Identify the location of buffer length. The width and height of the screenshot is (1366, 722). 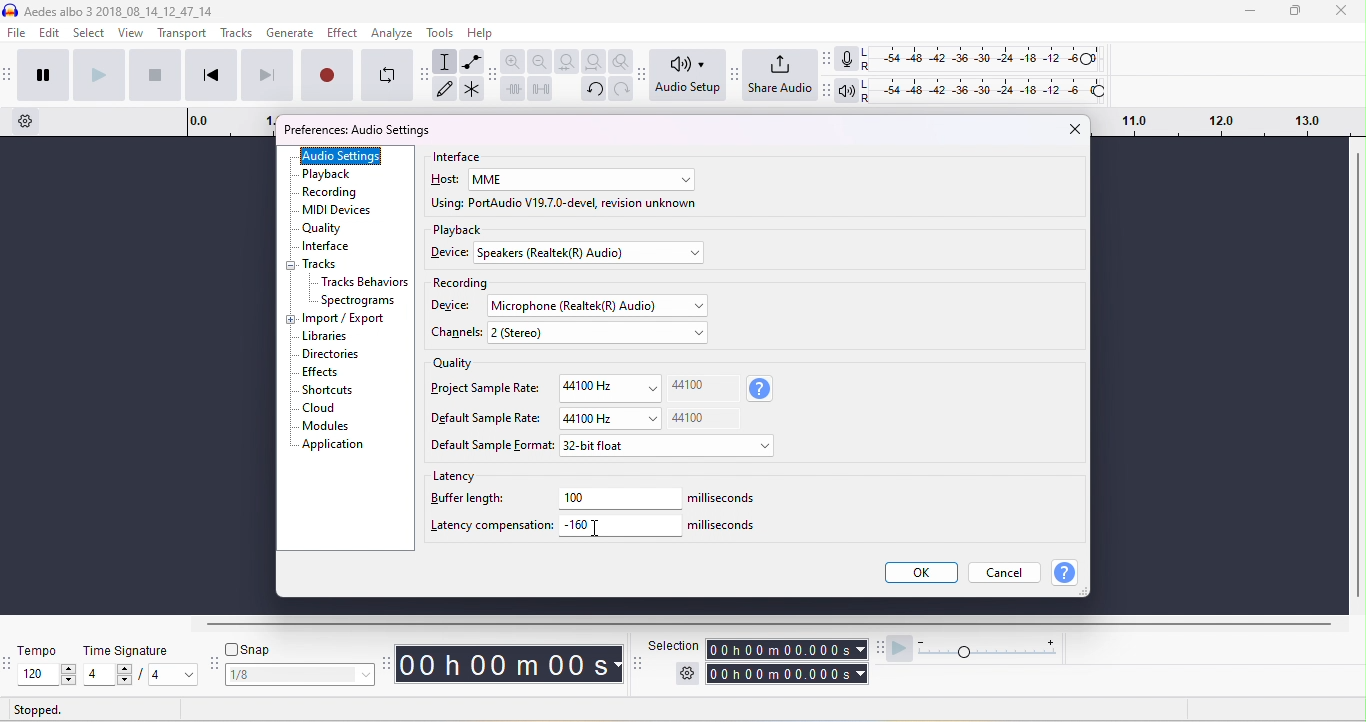
(470, 499).